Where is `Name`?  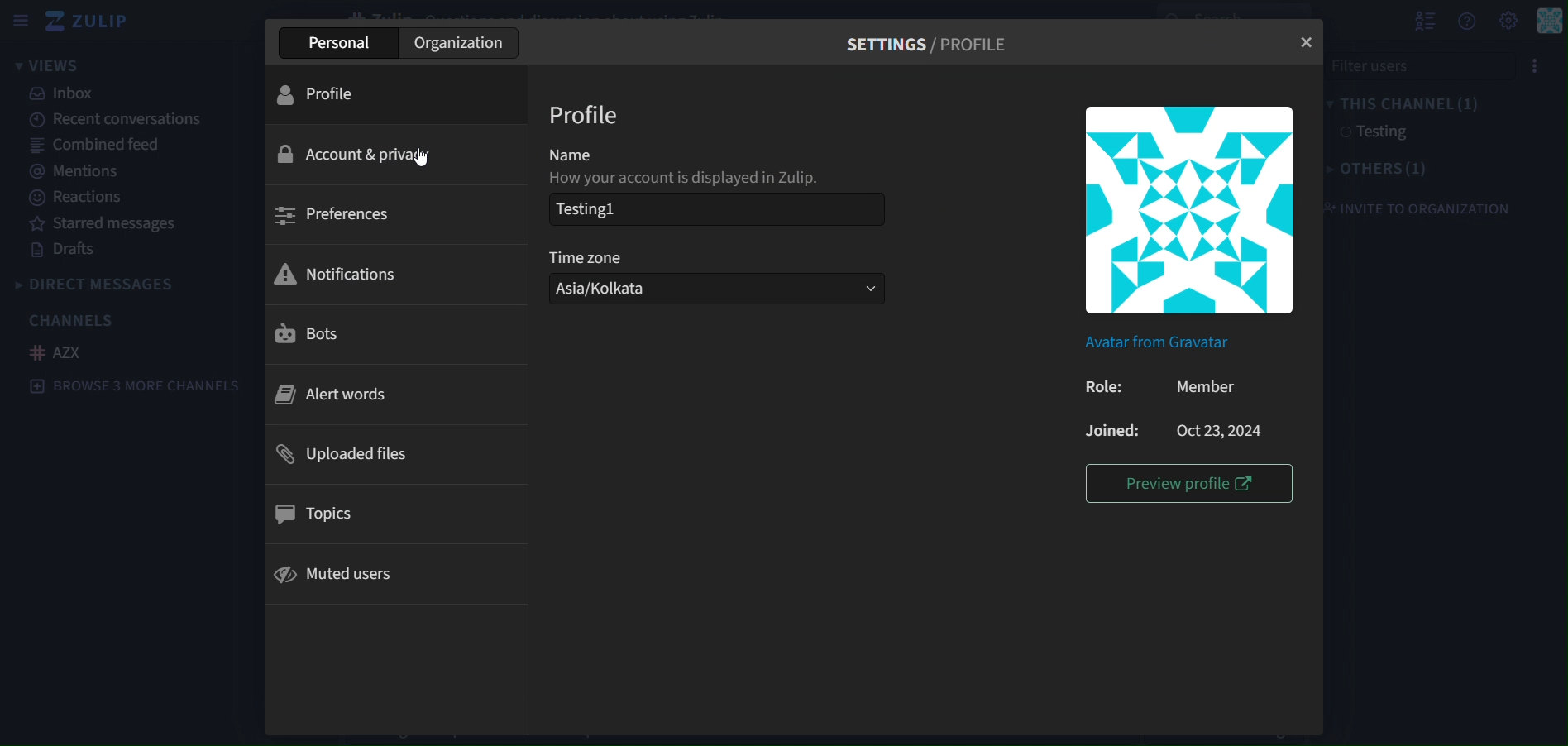 Name is located at coordinates (571, 154).